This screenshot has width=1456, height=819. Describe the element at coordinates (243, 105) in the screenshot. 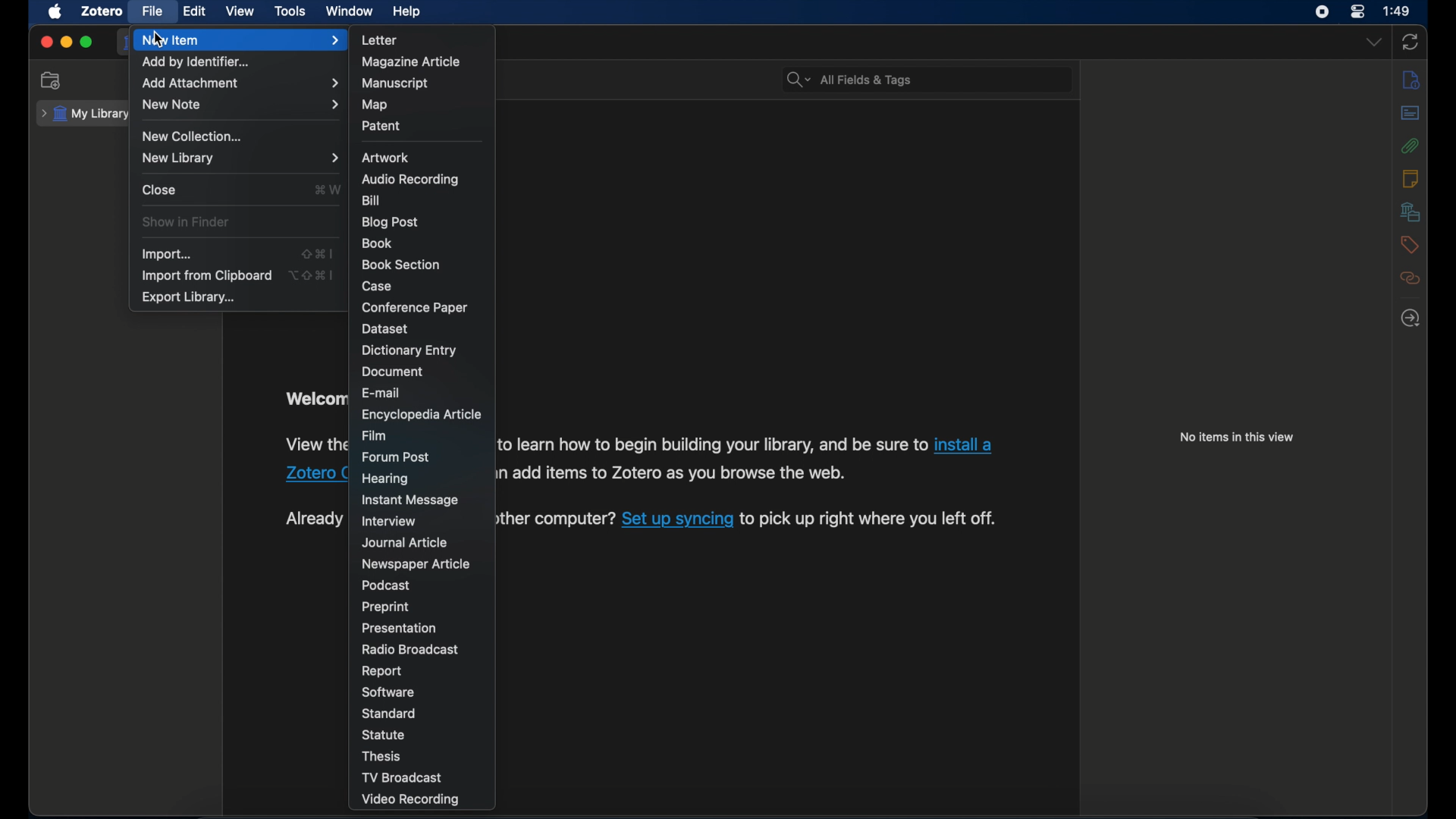

I see `new note` at that location.